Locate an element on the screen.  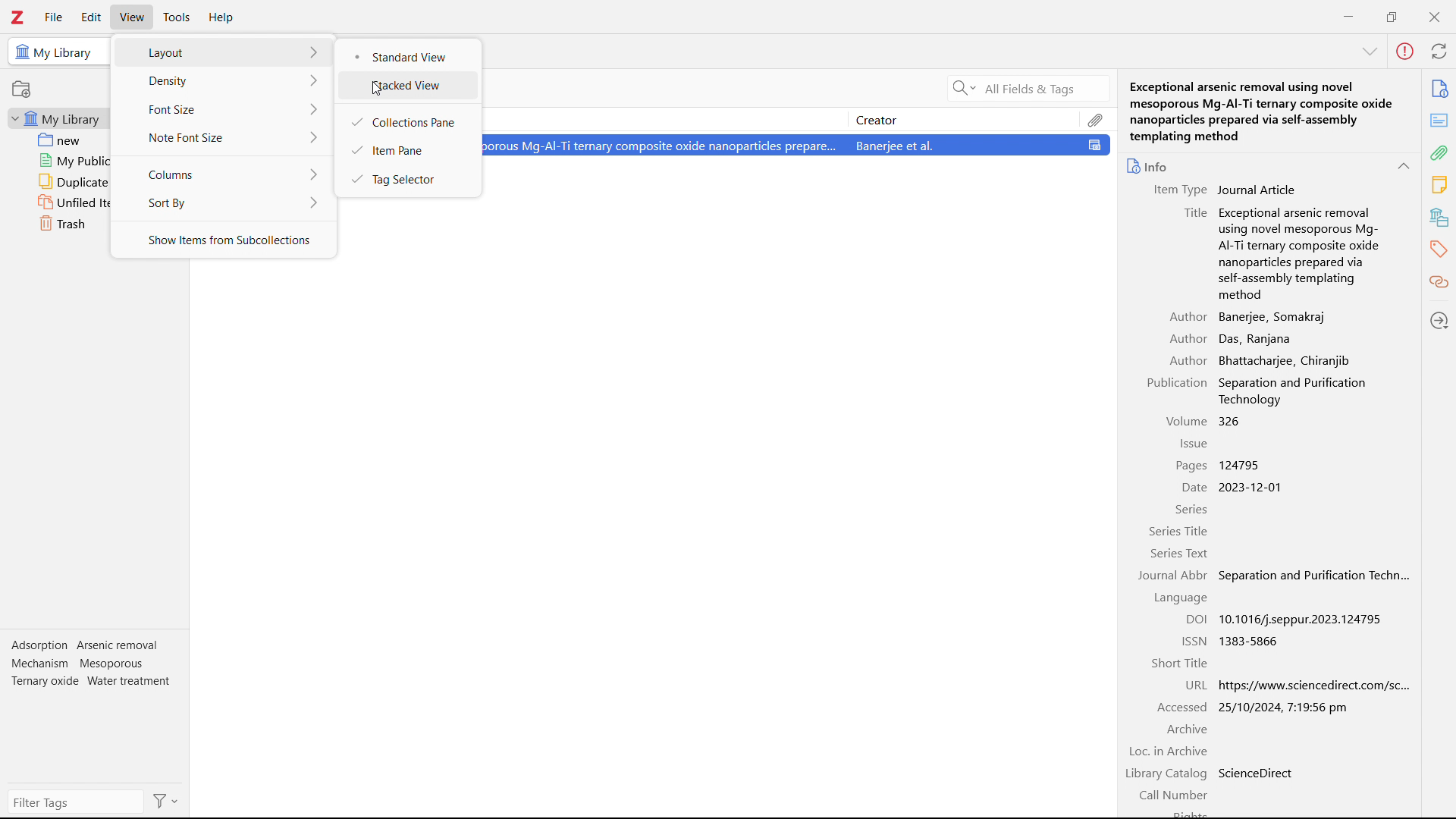
tag selector is located at coordinates (406, 177).